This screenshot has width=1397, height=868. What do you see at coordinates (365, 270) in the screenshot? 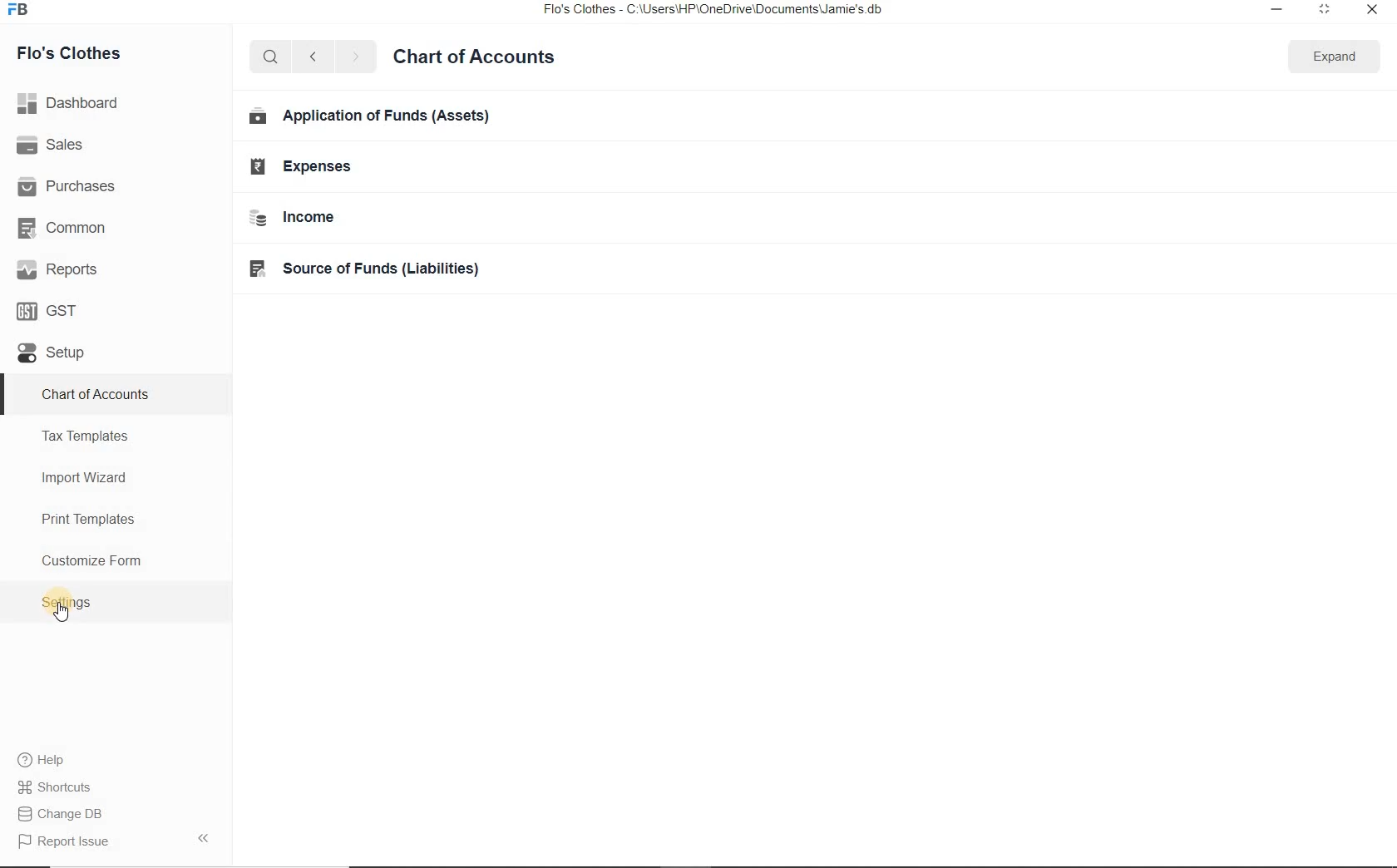
I see `Source of Funds (Liabilities)` at bounding box center [365, 270].